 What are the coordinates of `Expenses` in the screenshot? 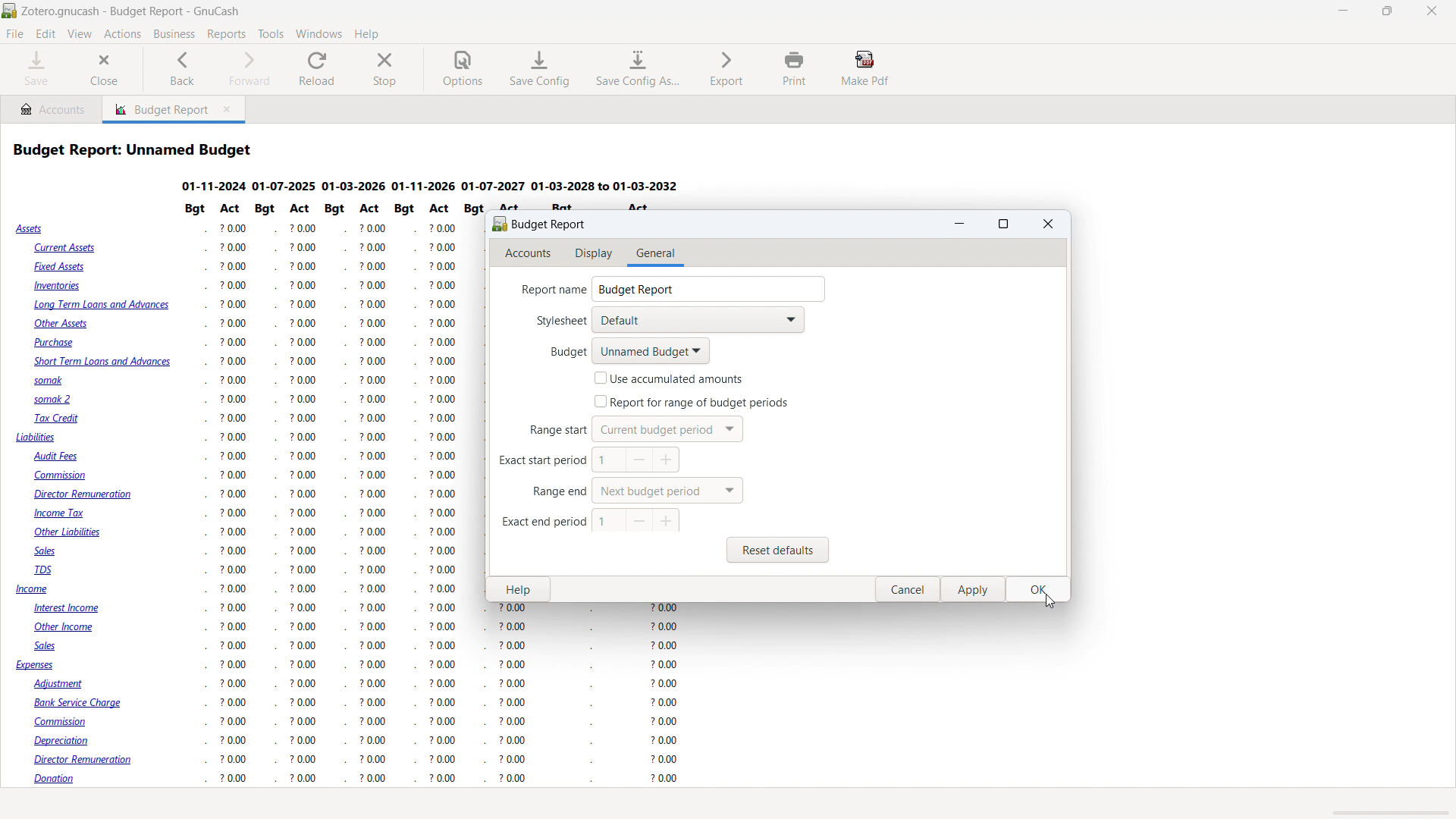 It's located at (36, 667).